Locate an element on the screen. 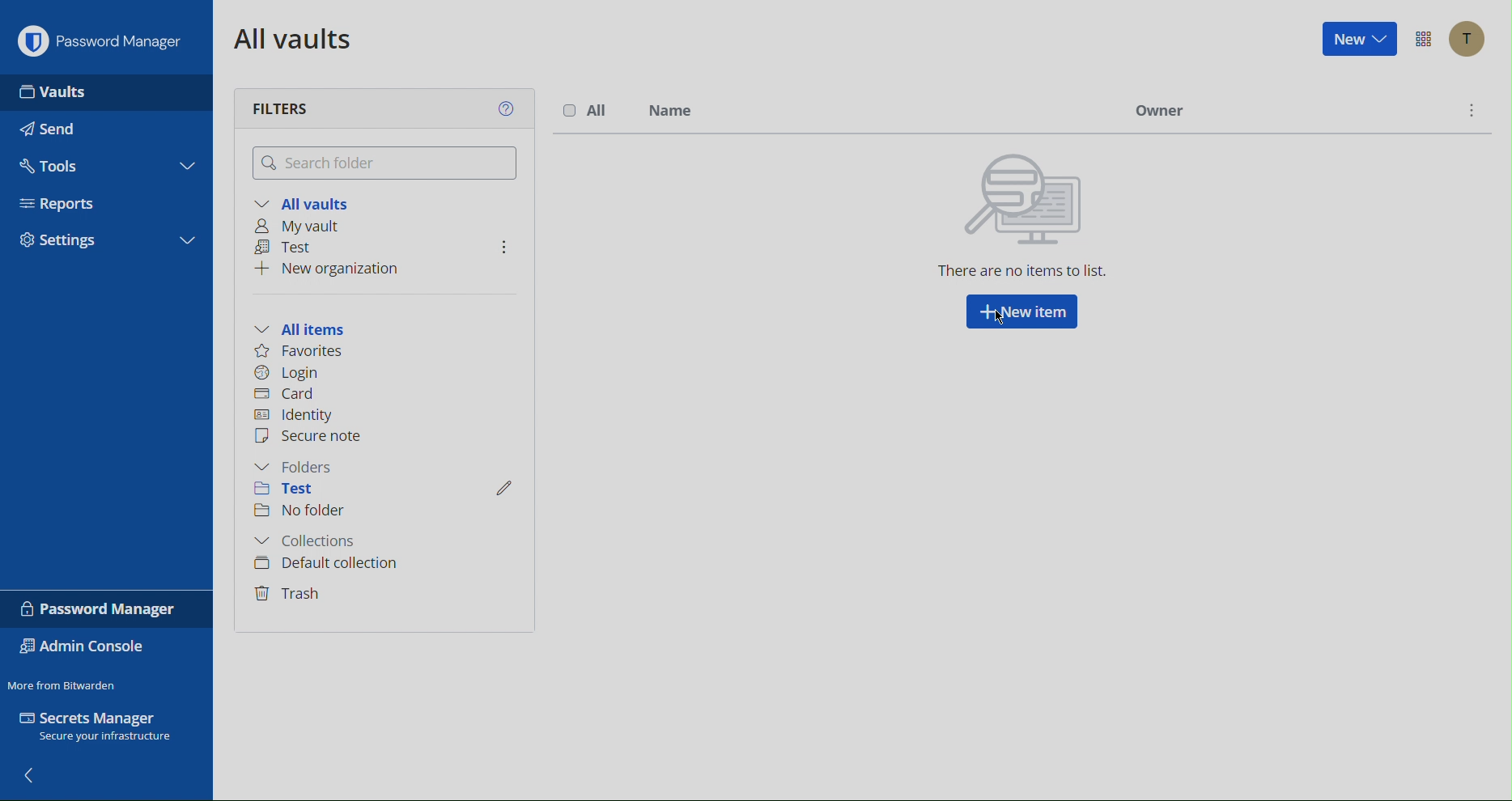 This screenshot has width=1512, height=801. All is located at coordinates (584, 108).